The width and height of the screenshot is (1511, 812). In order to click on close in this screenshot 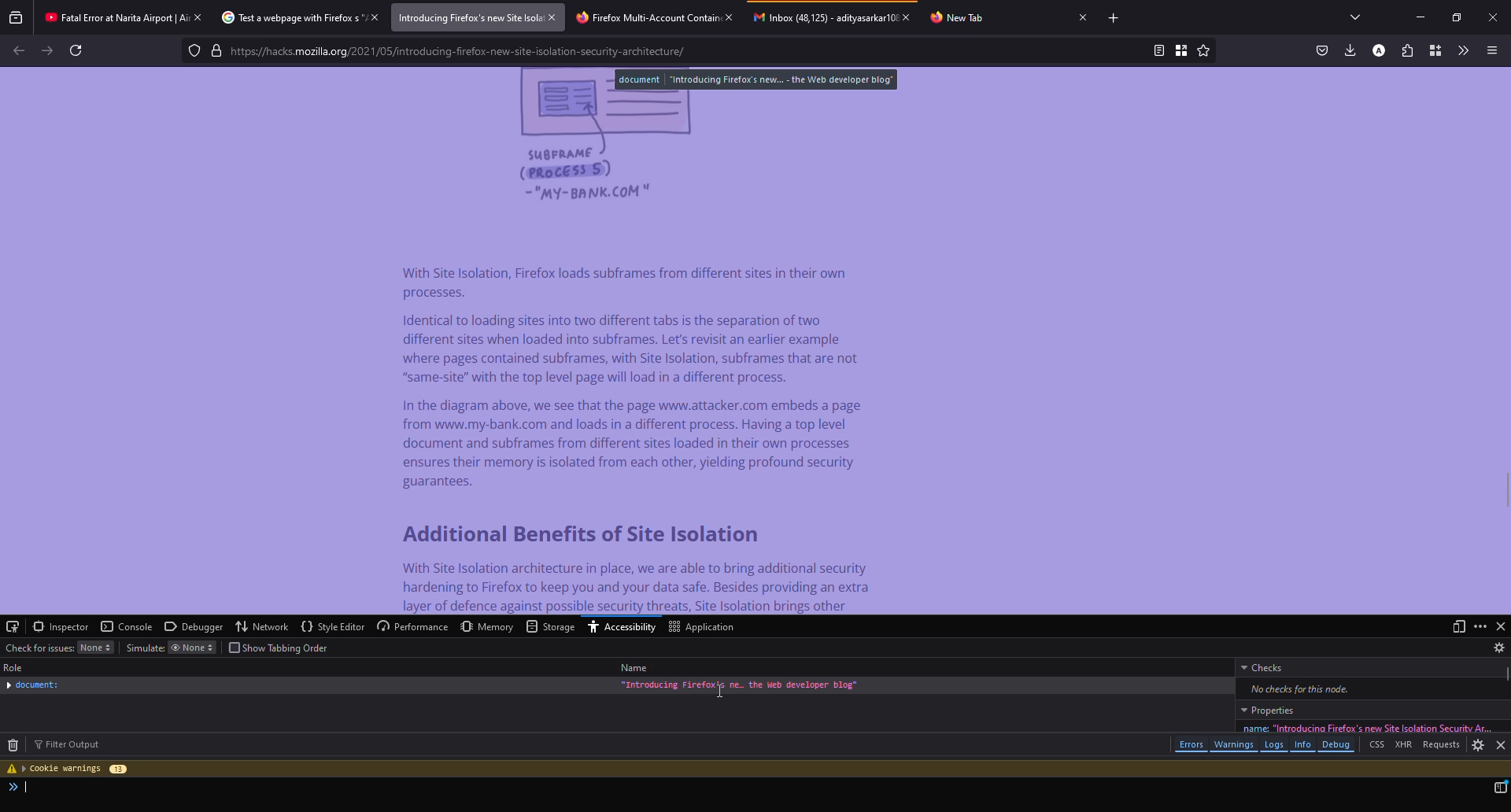, I will do `click(372, 17)`.